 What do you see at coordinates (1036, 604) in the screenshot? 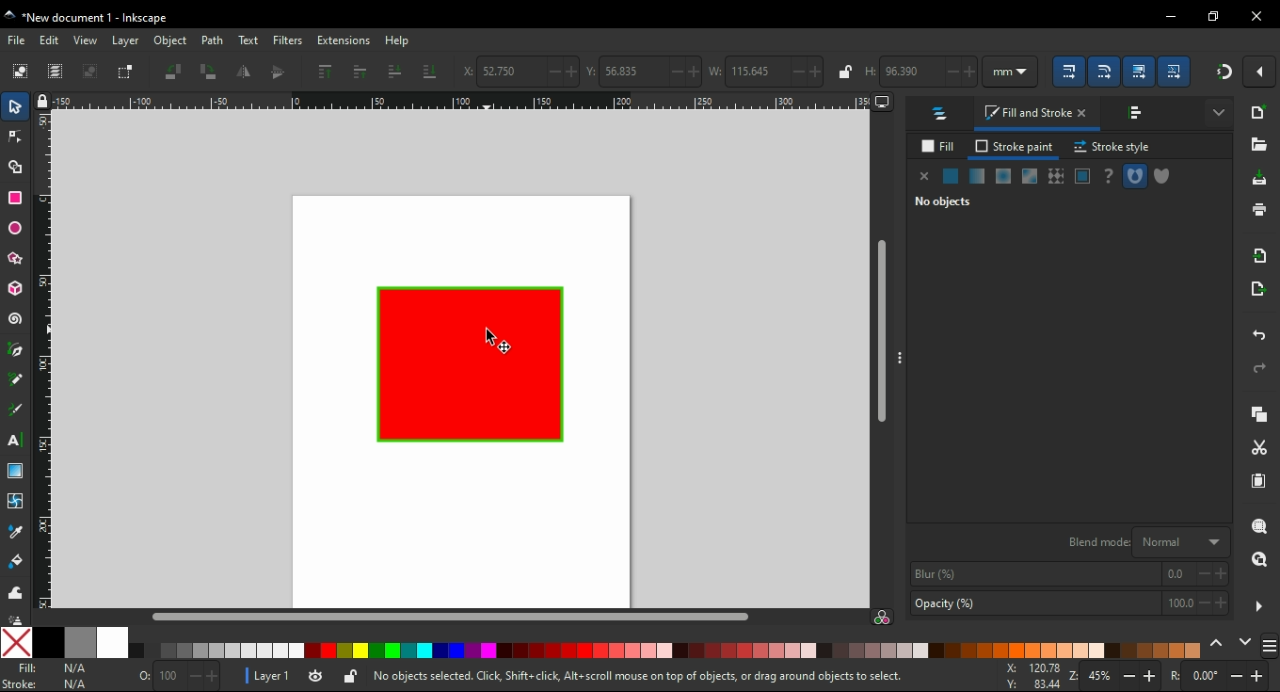
I see `opaciy` at bounding box center [1036, 604].